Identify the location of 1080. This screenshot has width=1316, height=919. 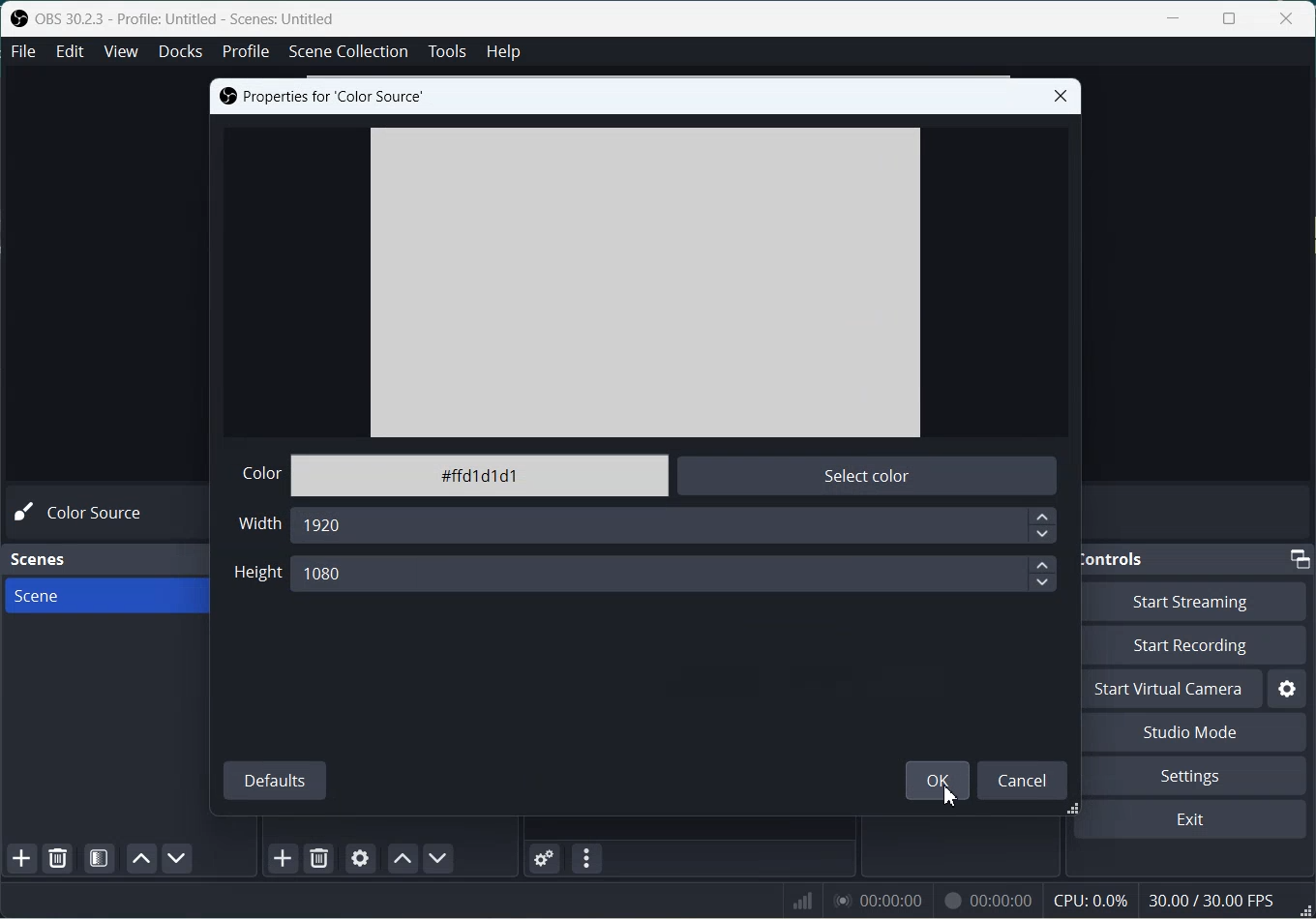
(673, 573).